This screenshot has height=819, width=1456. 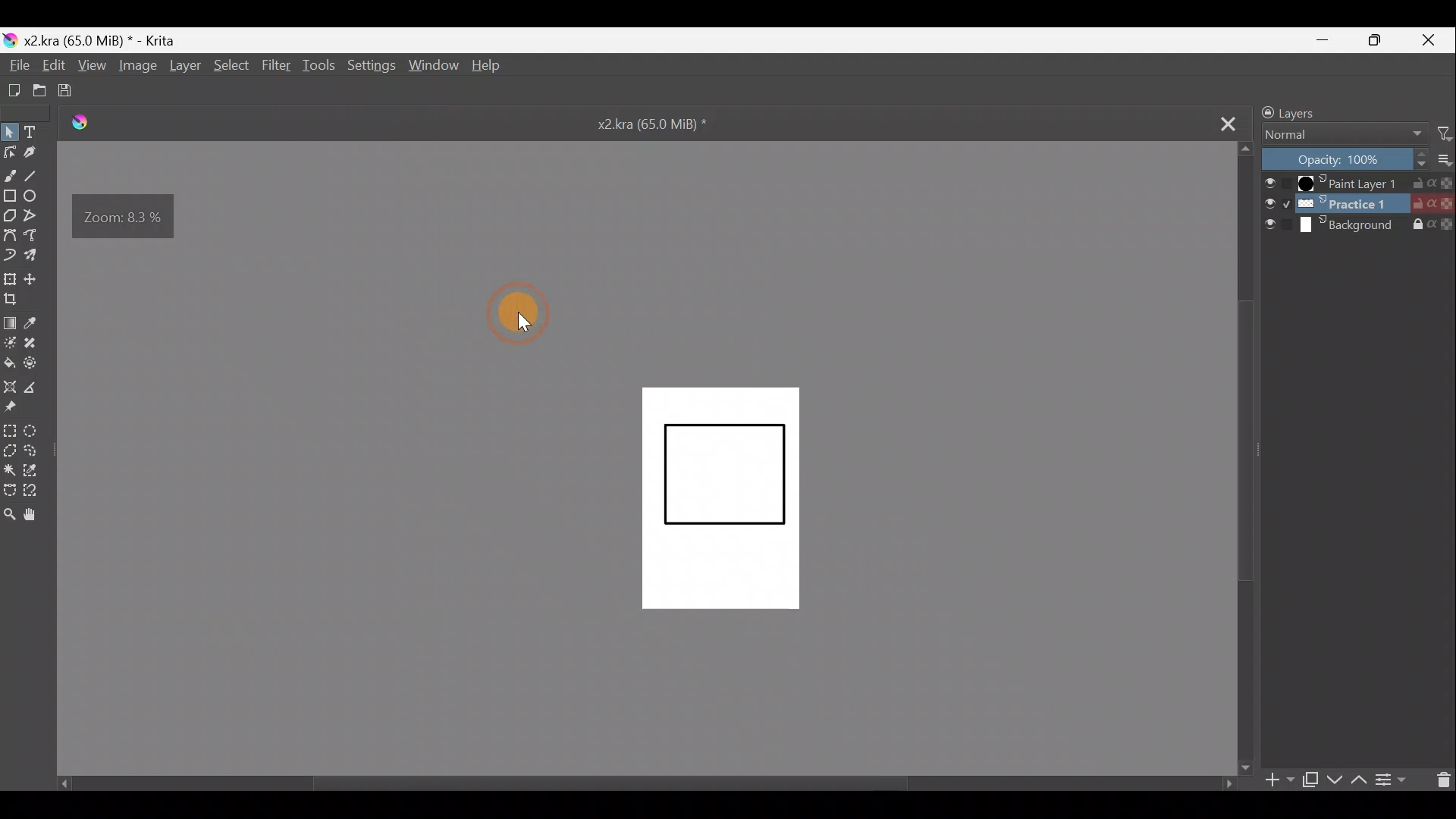 What do you see at coordinates (136, 67) in the screenshot?
I see `Image` at bounding box center [136, 67].